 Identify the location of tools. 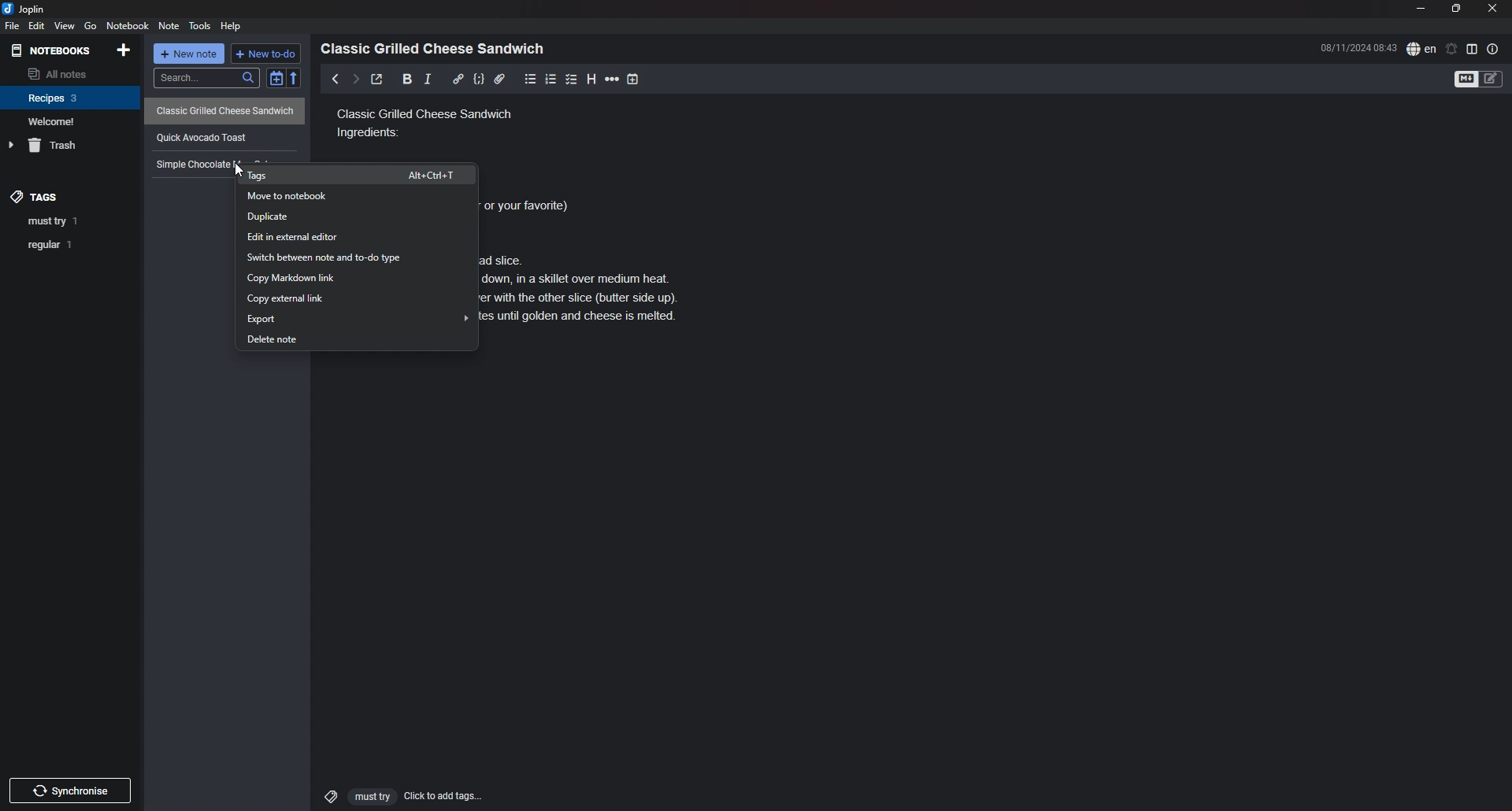
(202, 26).